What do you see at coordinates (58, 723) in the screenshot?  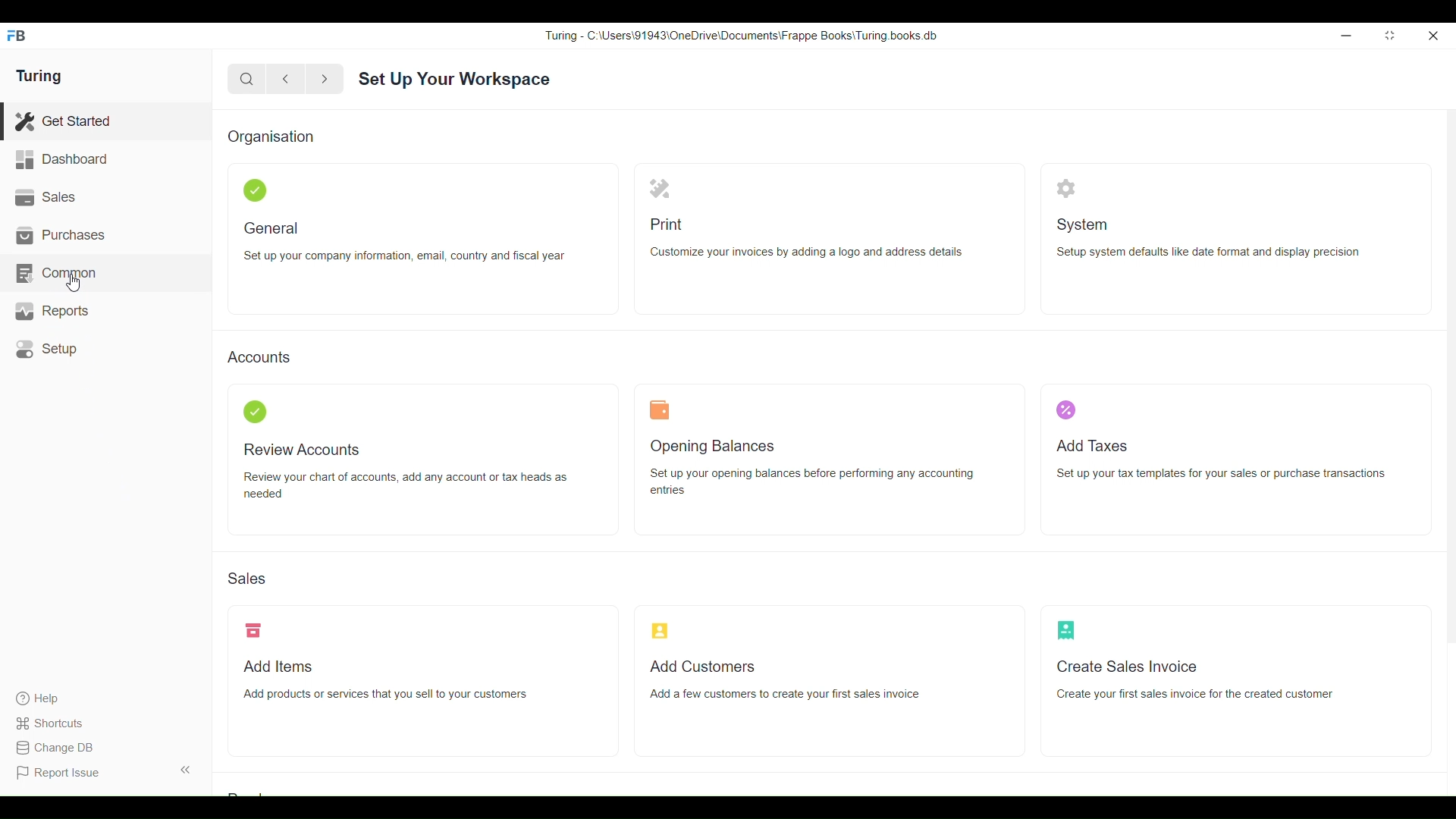 I see `Shortcuts` at bounding box center [58, 723].